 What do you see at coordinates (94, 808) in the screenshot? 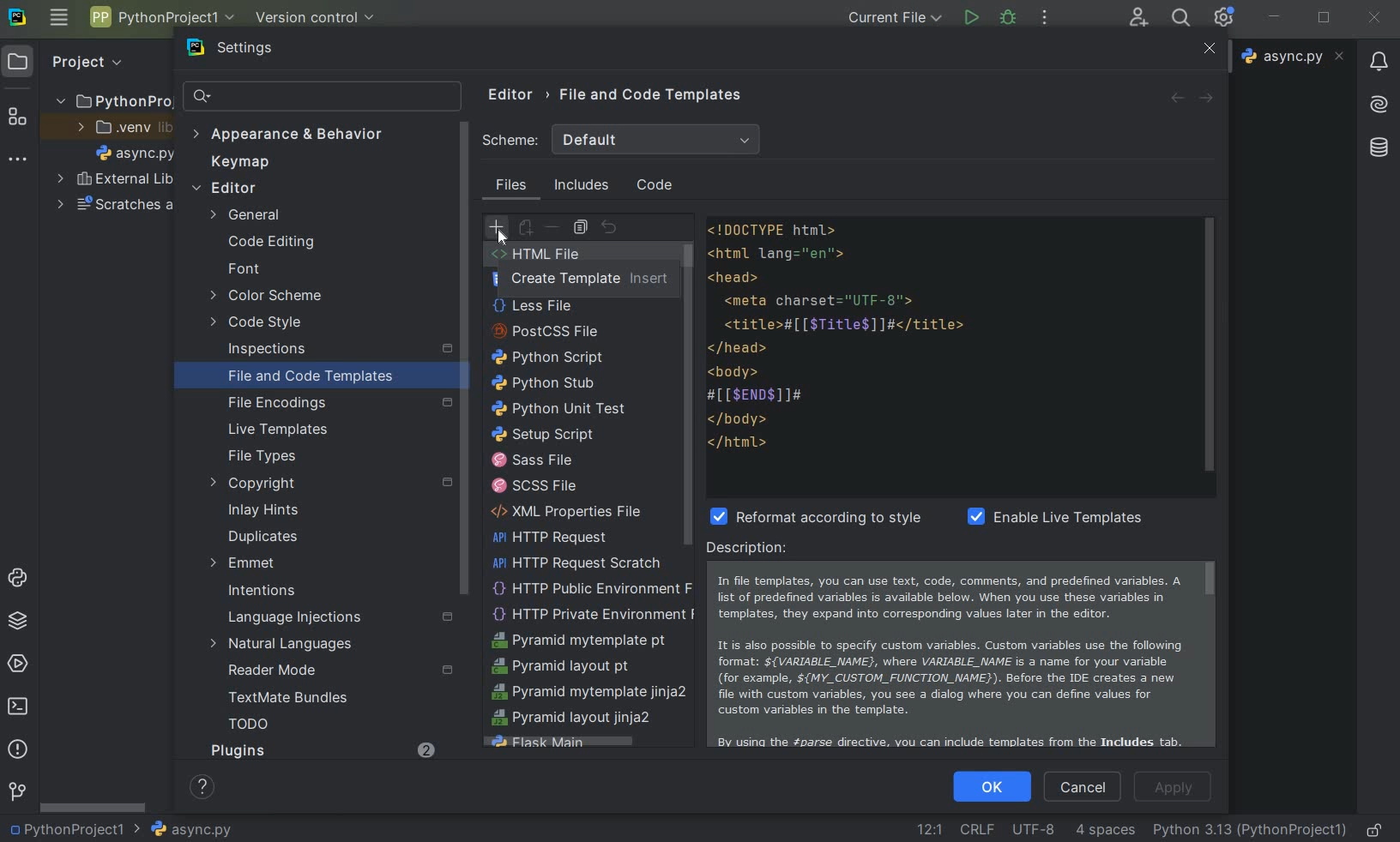
I see `srollbar` at bounding box center [94, 808].